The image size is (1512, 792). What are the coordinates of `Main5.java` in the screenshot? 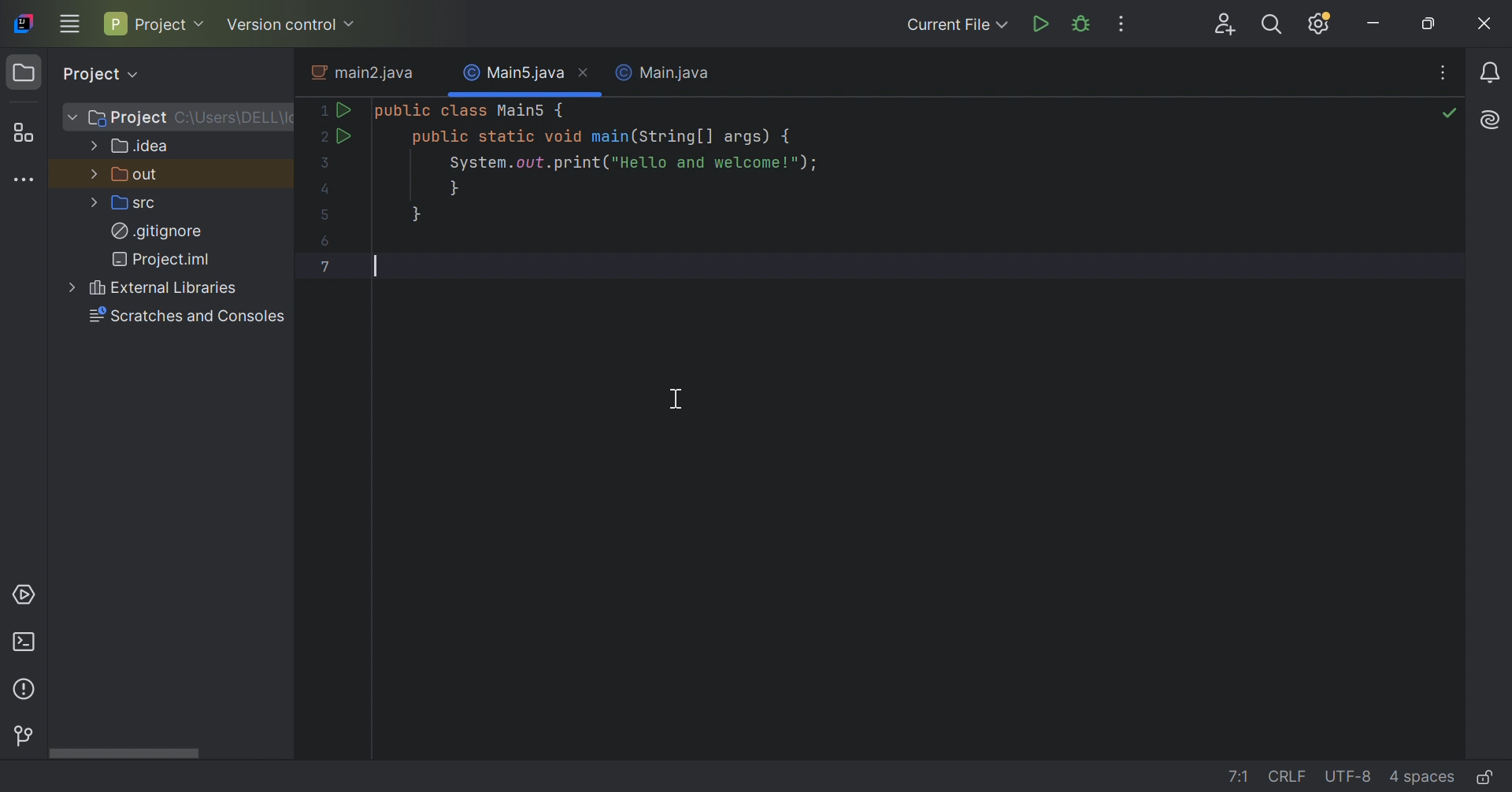 It's located at (513, 73).